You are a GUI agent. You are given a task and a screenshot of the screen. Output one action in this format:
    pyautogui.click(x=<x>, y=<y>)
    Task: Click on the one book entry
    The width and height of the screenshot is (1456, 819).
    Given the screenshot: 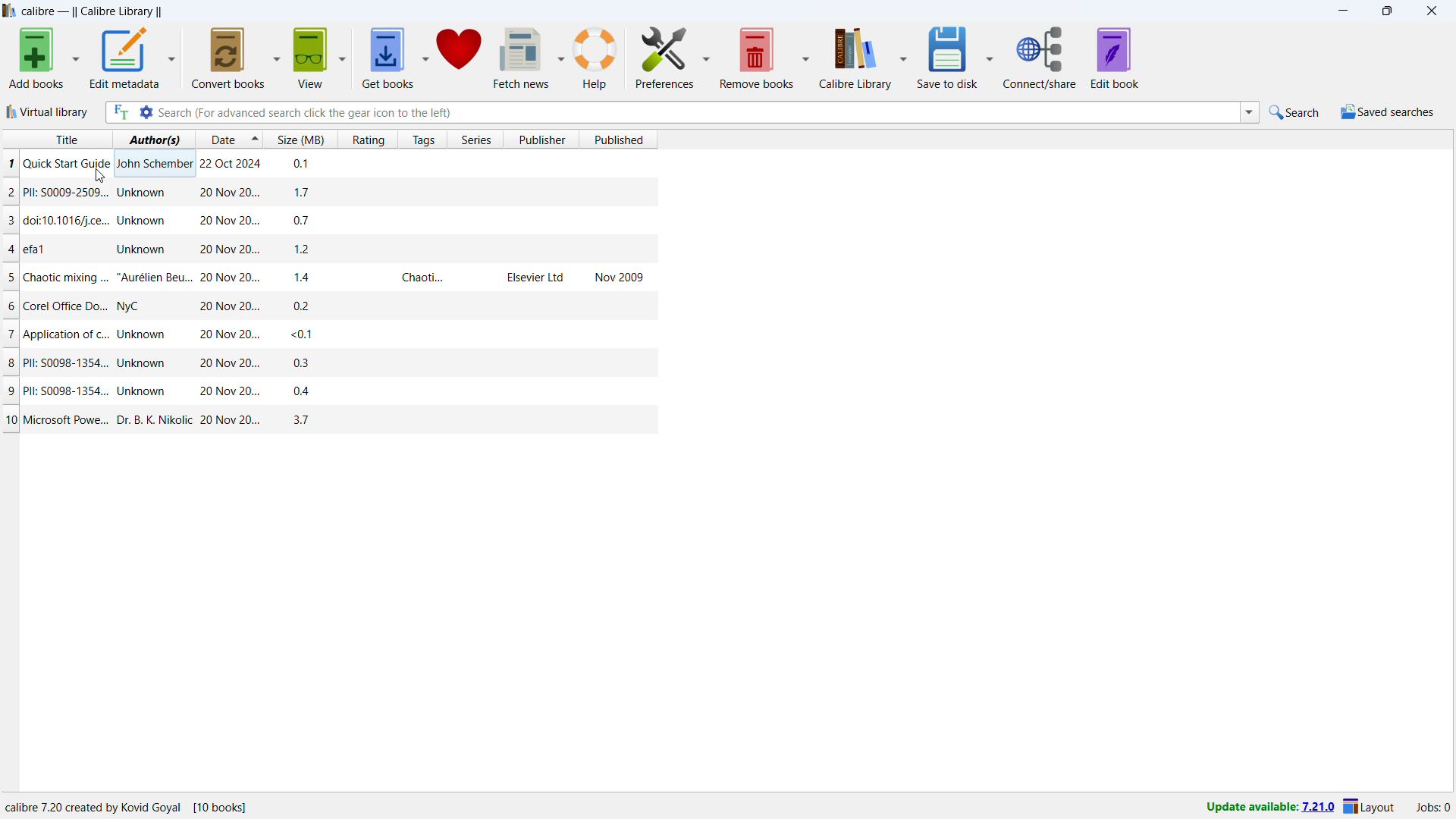 What is the action you would take?
    pyautogui.click(x=331, y=362)
    